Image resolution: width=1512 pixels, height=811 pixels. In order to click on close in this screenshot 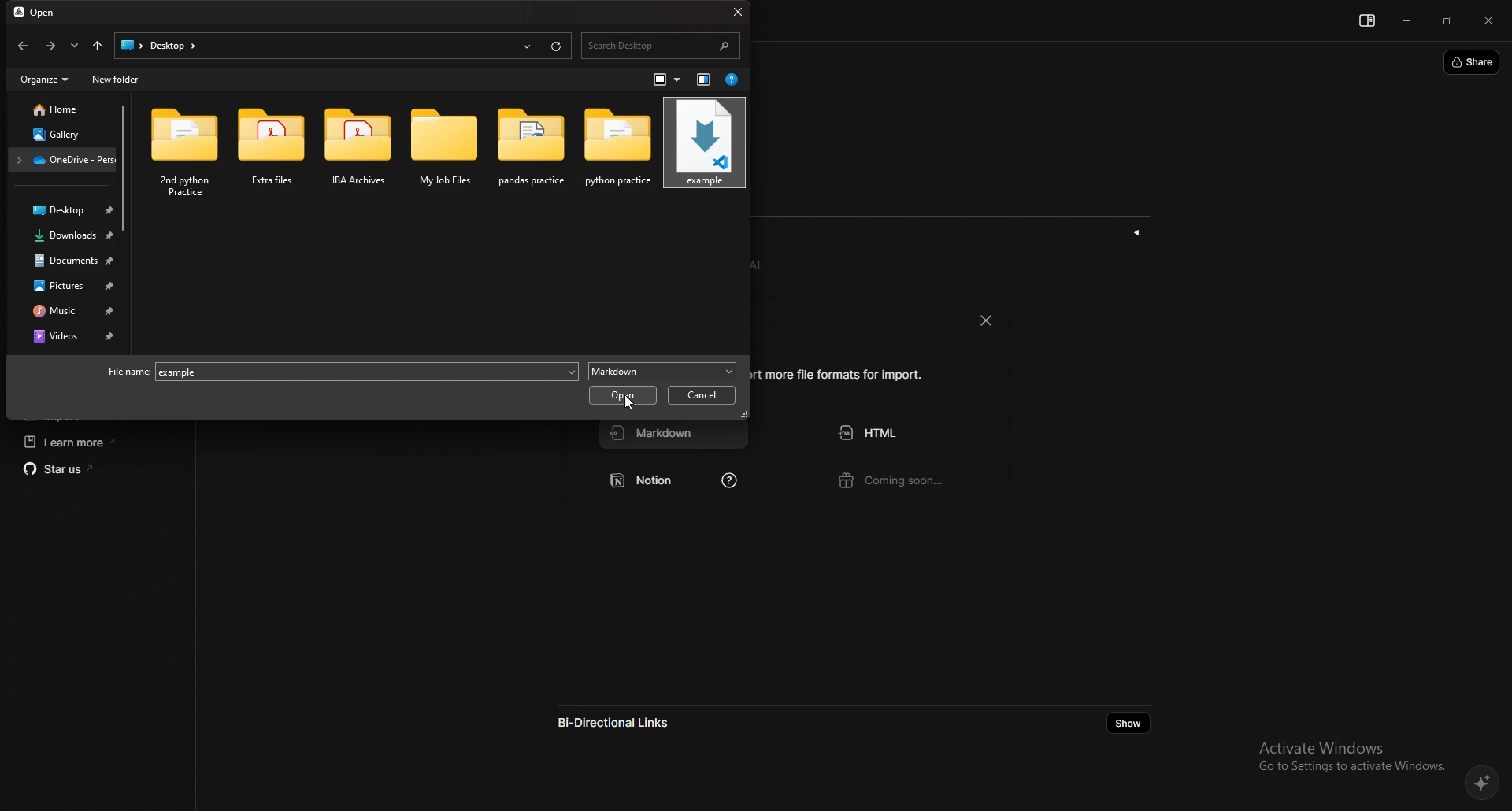, I will do `click(985, 320)`.